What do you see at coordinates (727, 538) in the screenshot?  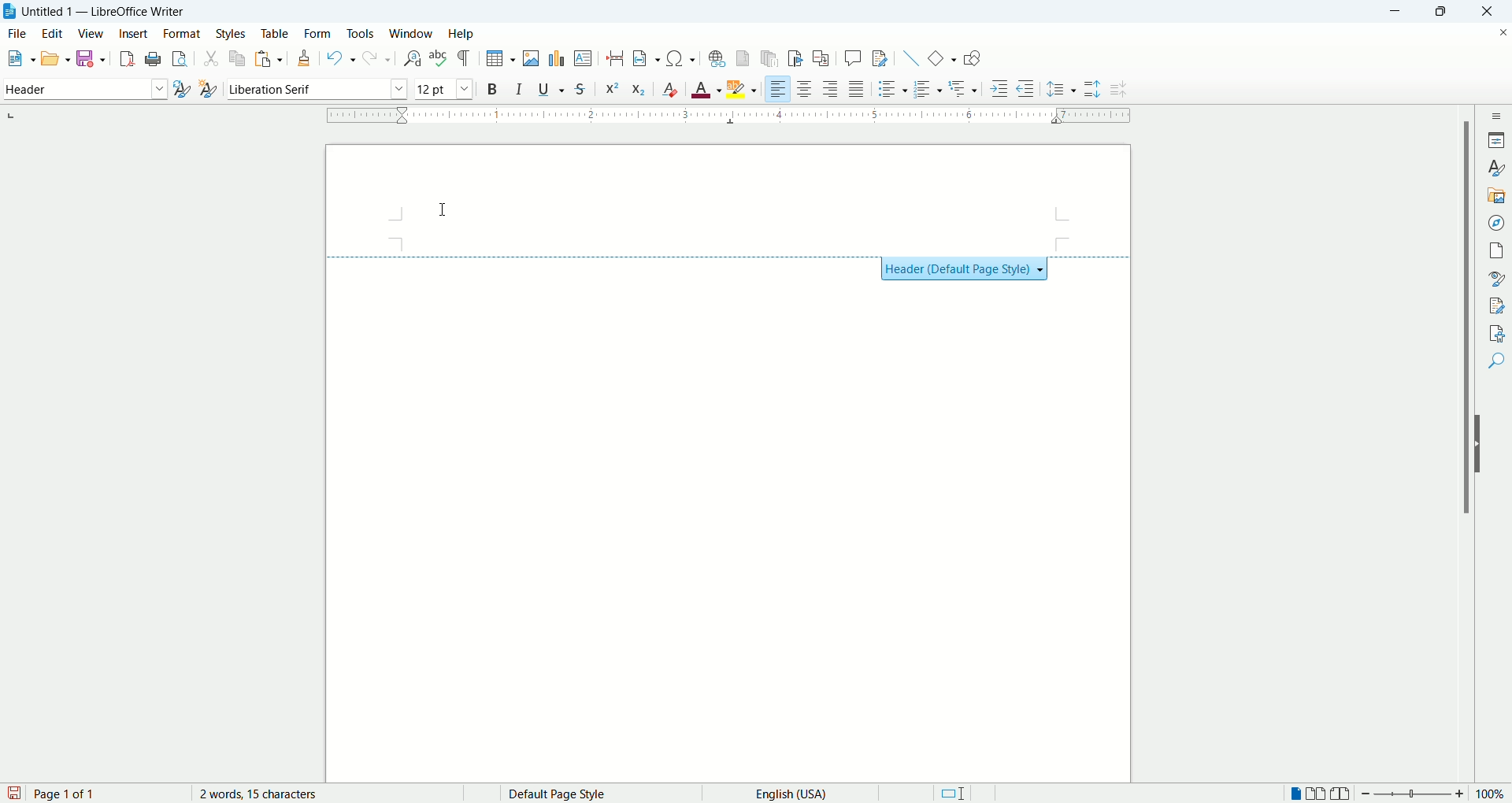 I see `main page` at bounding box center [727, 538].